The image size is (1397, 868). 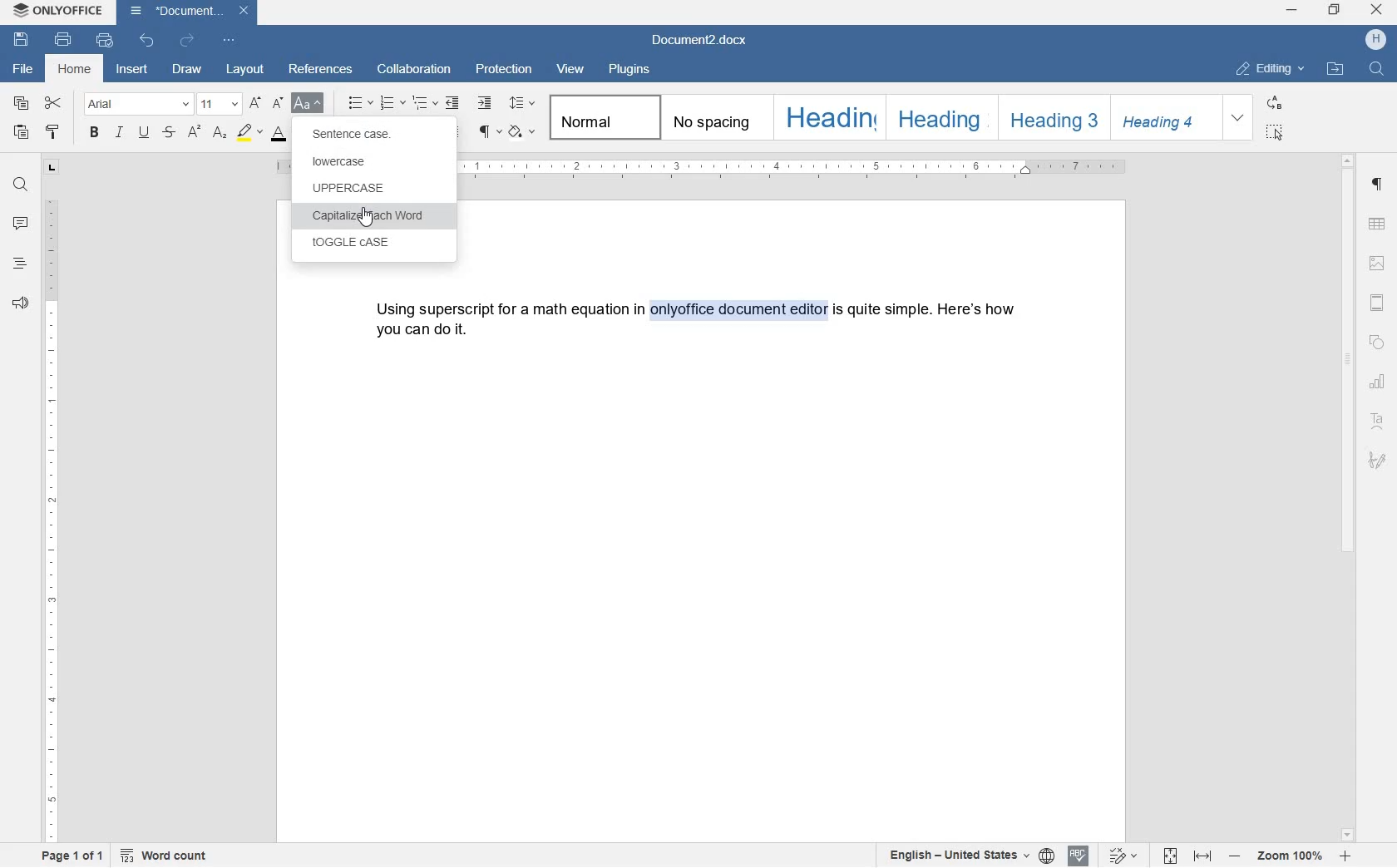 What do you see at coordinates (120, 135) in the screenshot?
I see `italic` at bounding box center [120, 135].